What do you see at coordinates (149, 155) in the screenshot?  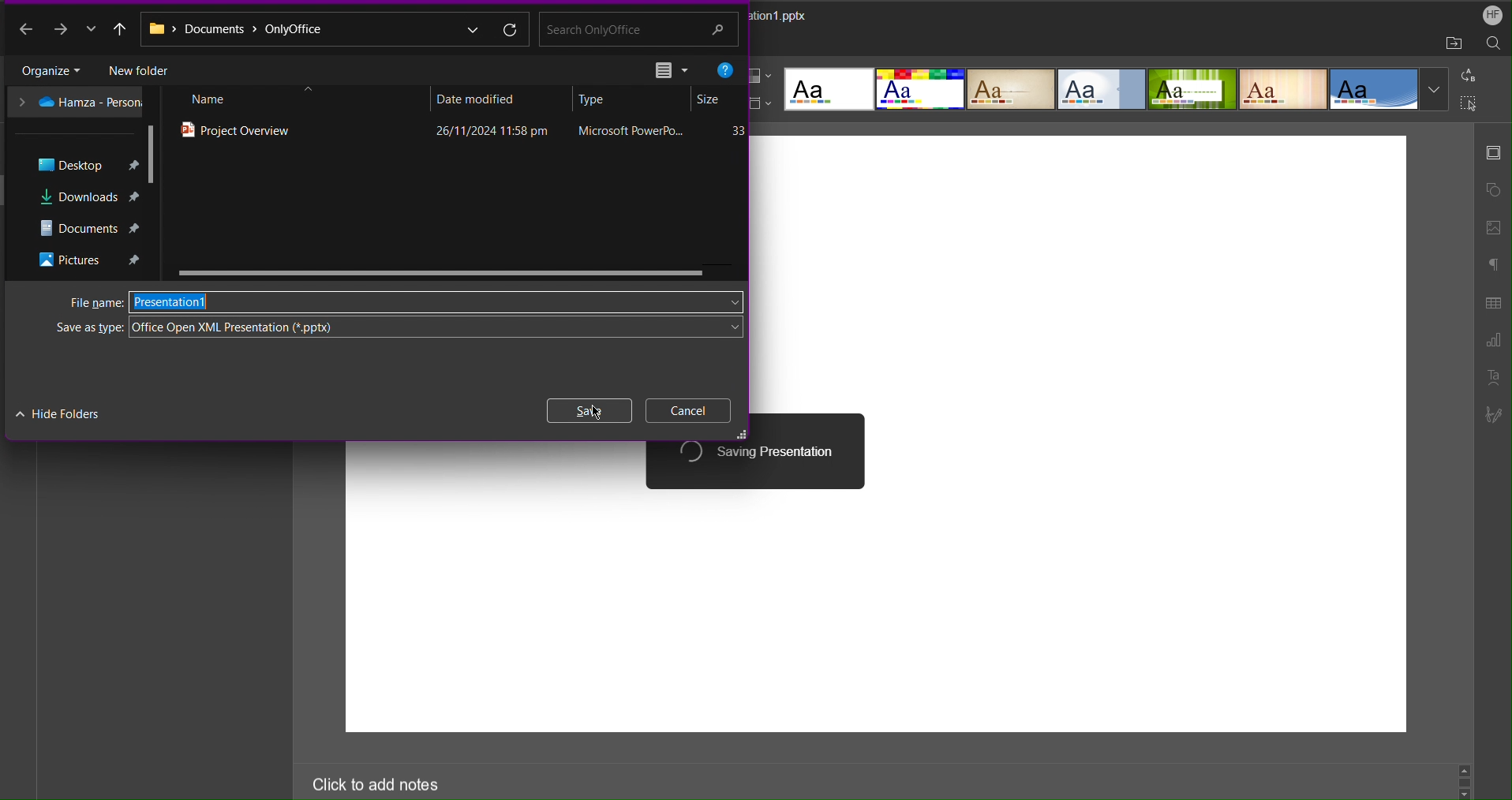 I see `Scrollbar` at bounding box center [149, 155].